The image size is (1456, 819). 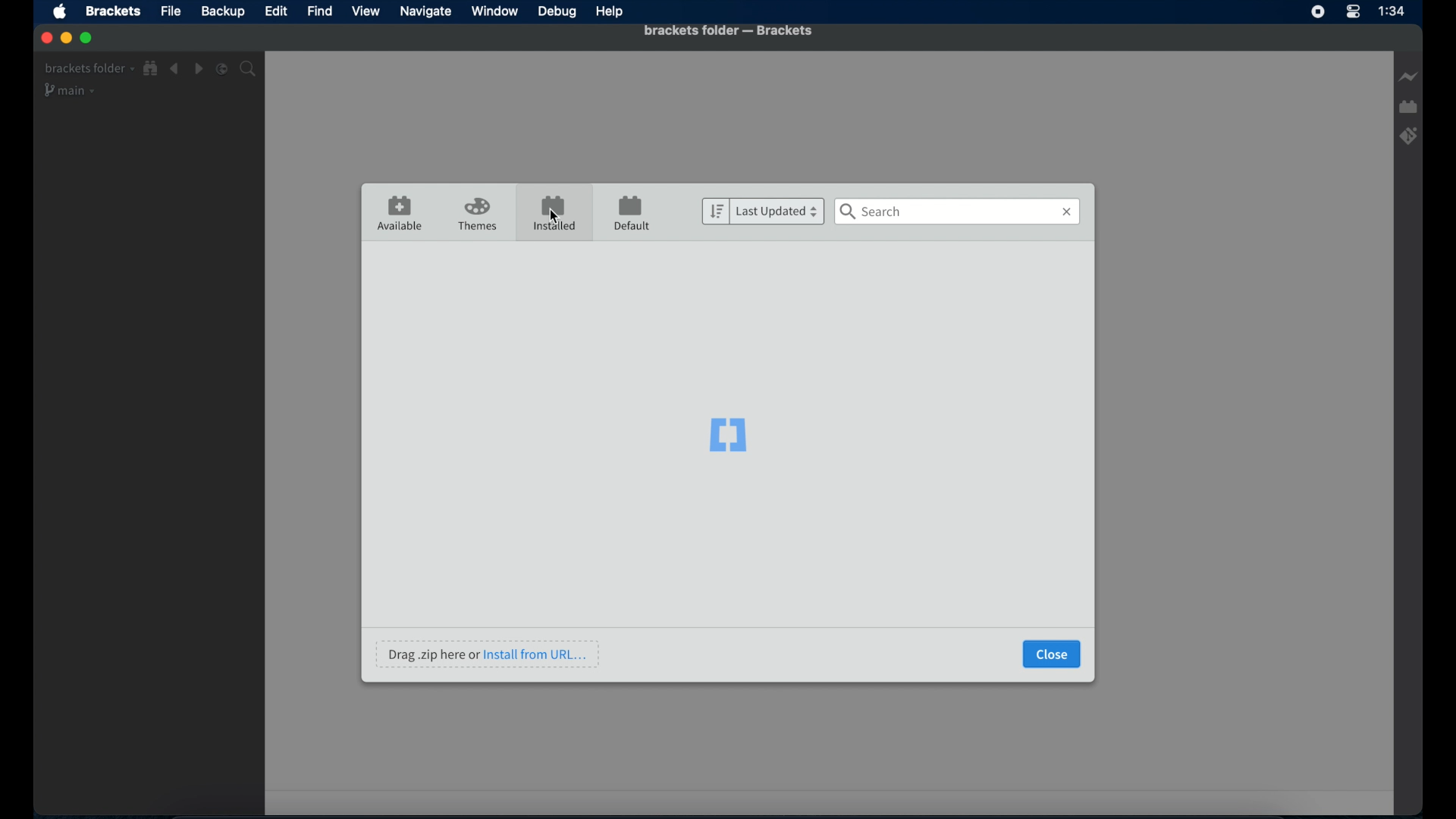 What do you see at coordinates (1052, 654) in the screenshot?
I see `close` at bounding box center [1052, 654].